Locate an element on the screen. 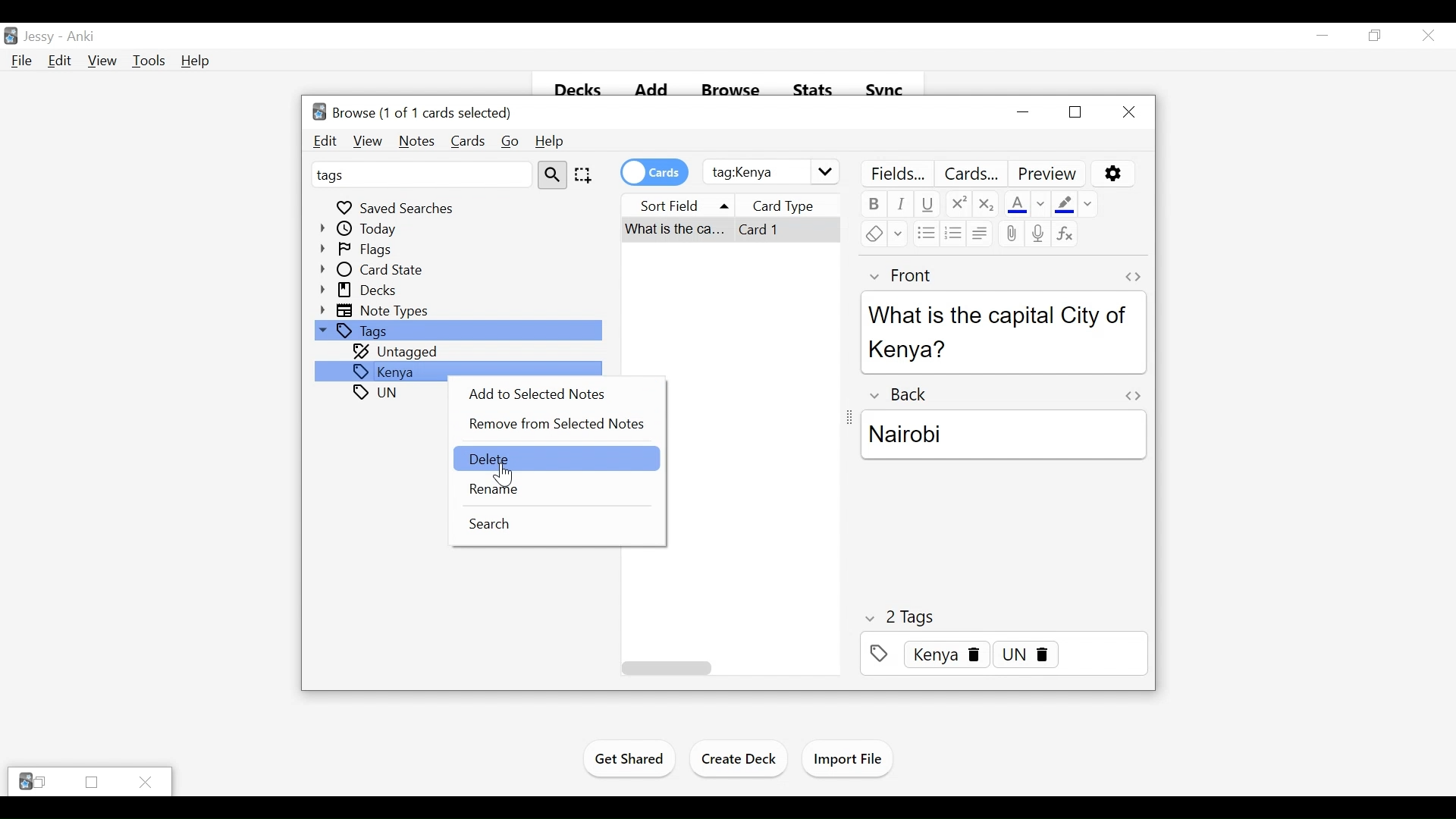  View is located at coordinates (366, 141).